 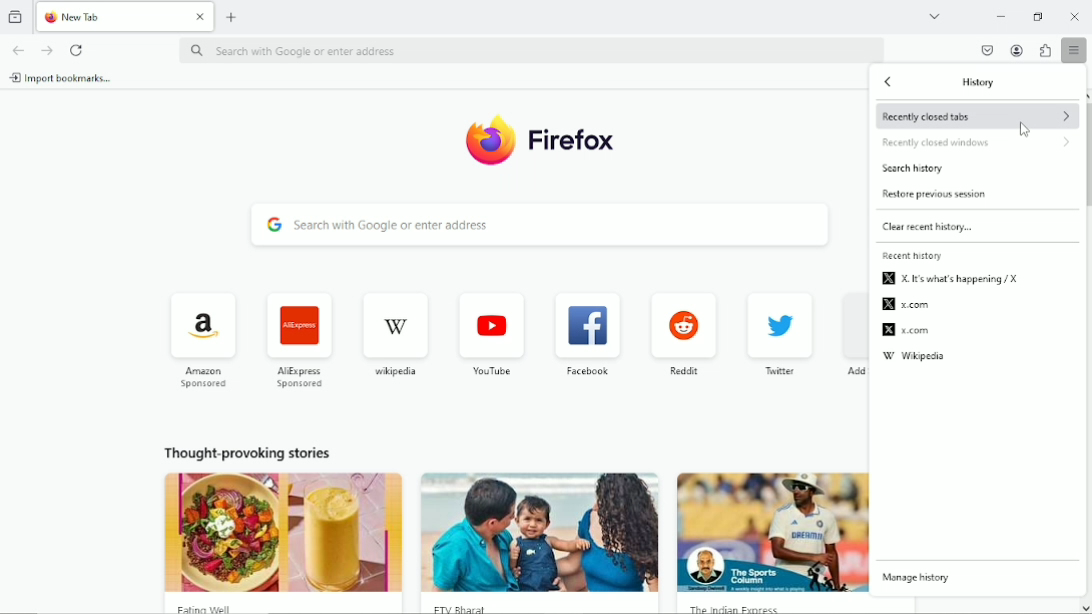 I want to click on reddit, so click(x=683, y=372).